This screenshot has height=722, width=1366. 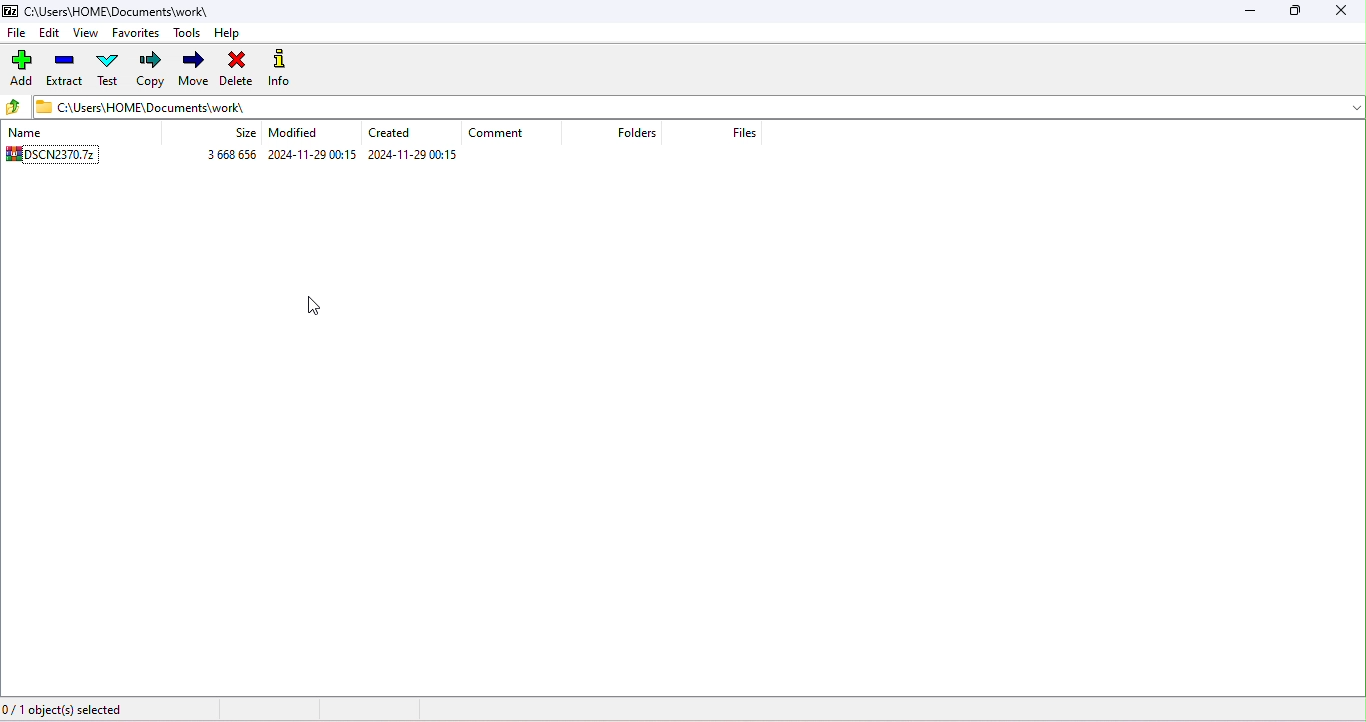 What do you see at coordinates (15, 108) in the screenshot?
I see `up to previous folder` at bounding box center [15, 108].